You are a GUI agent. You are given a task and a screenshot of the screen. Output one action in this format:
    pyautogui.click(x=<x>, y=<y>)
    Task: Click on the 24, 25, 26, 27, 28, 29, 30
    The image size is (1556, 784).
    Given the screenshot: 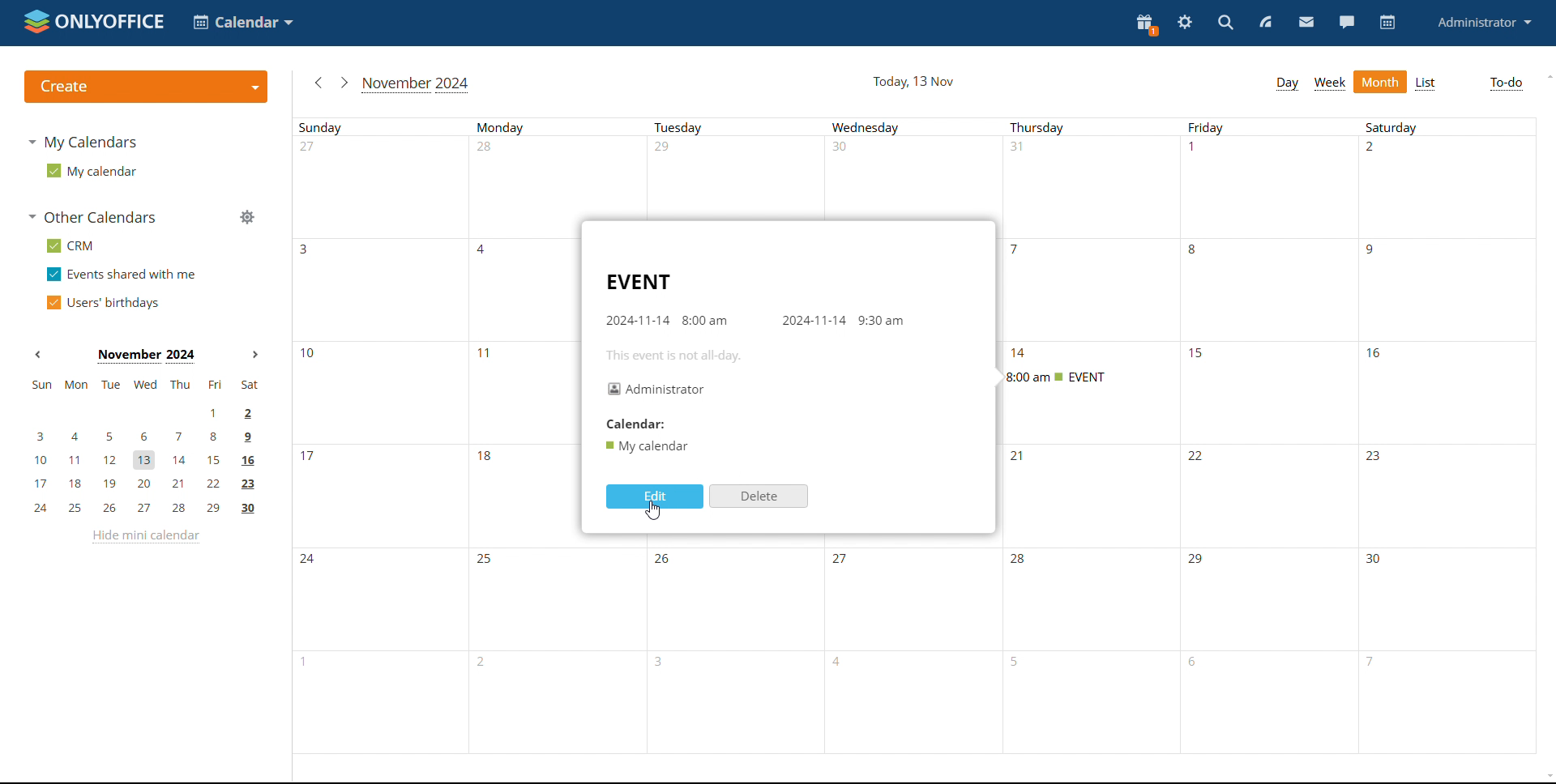 What is the action you would take?
    pyautogui.click(x=145, y=509)
    